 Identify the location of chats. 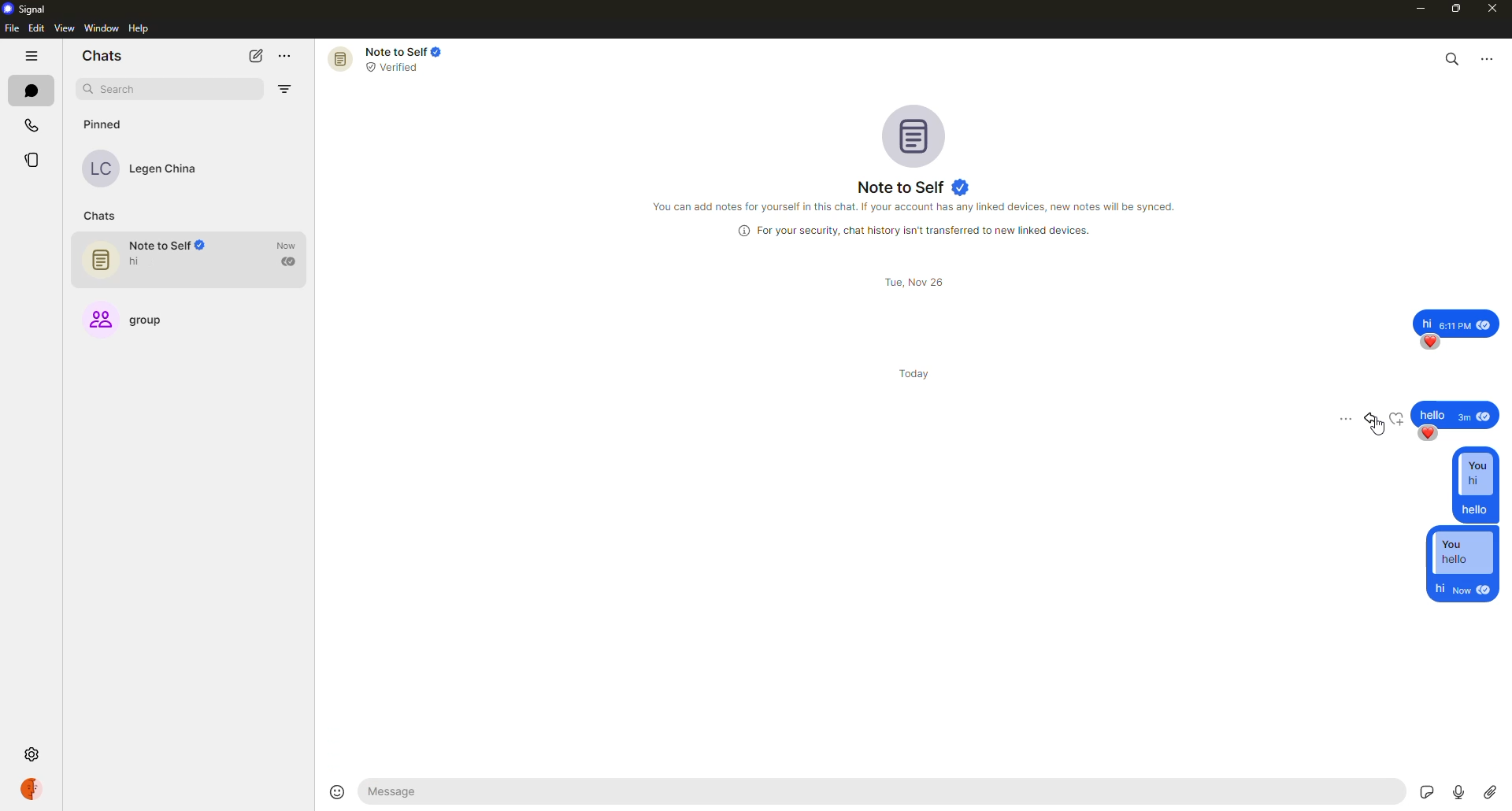
(99, 215).